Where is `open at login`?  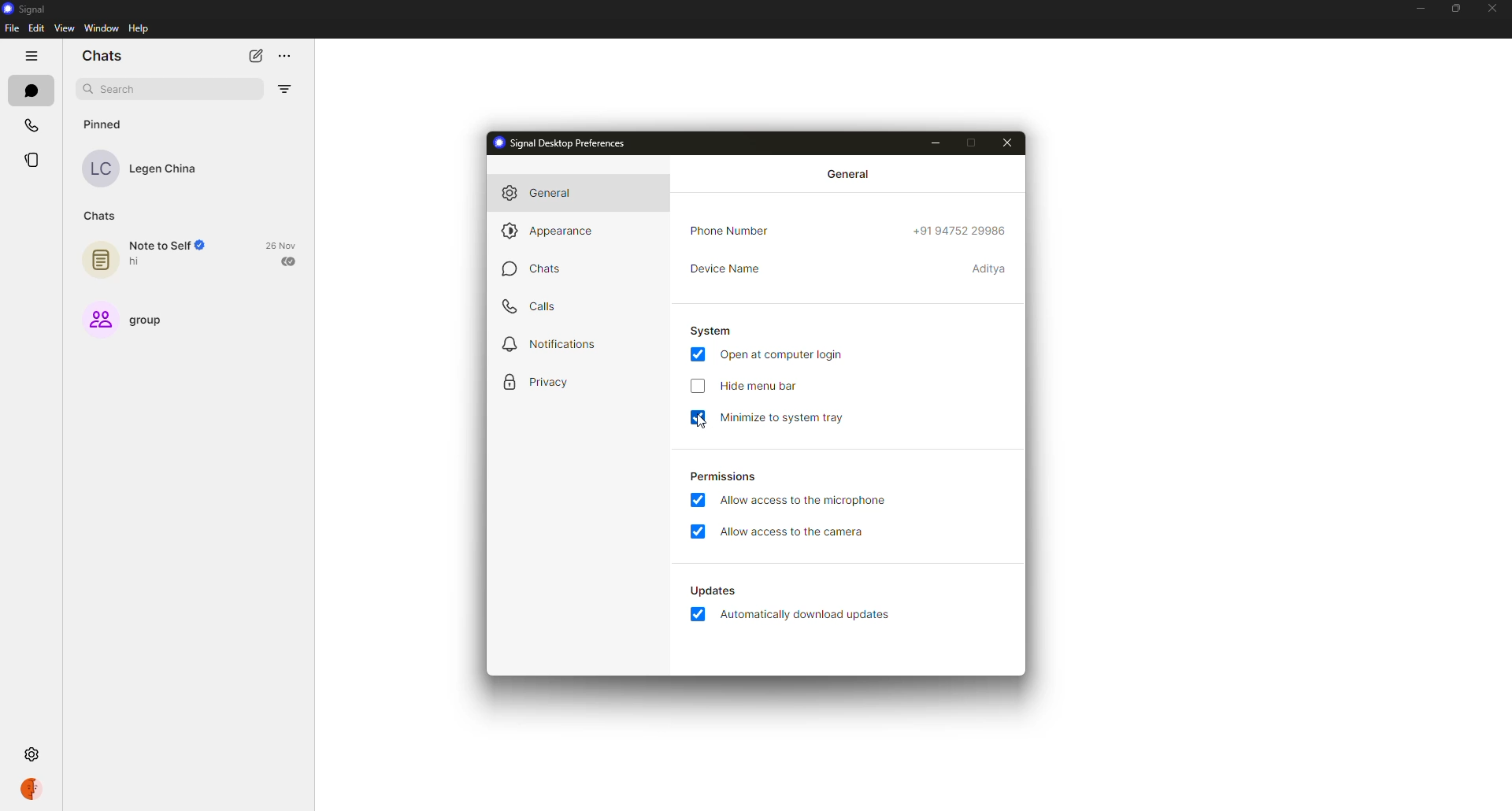
open at login is located at coordinates (786, 356).